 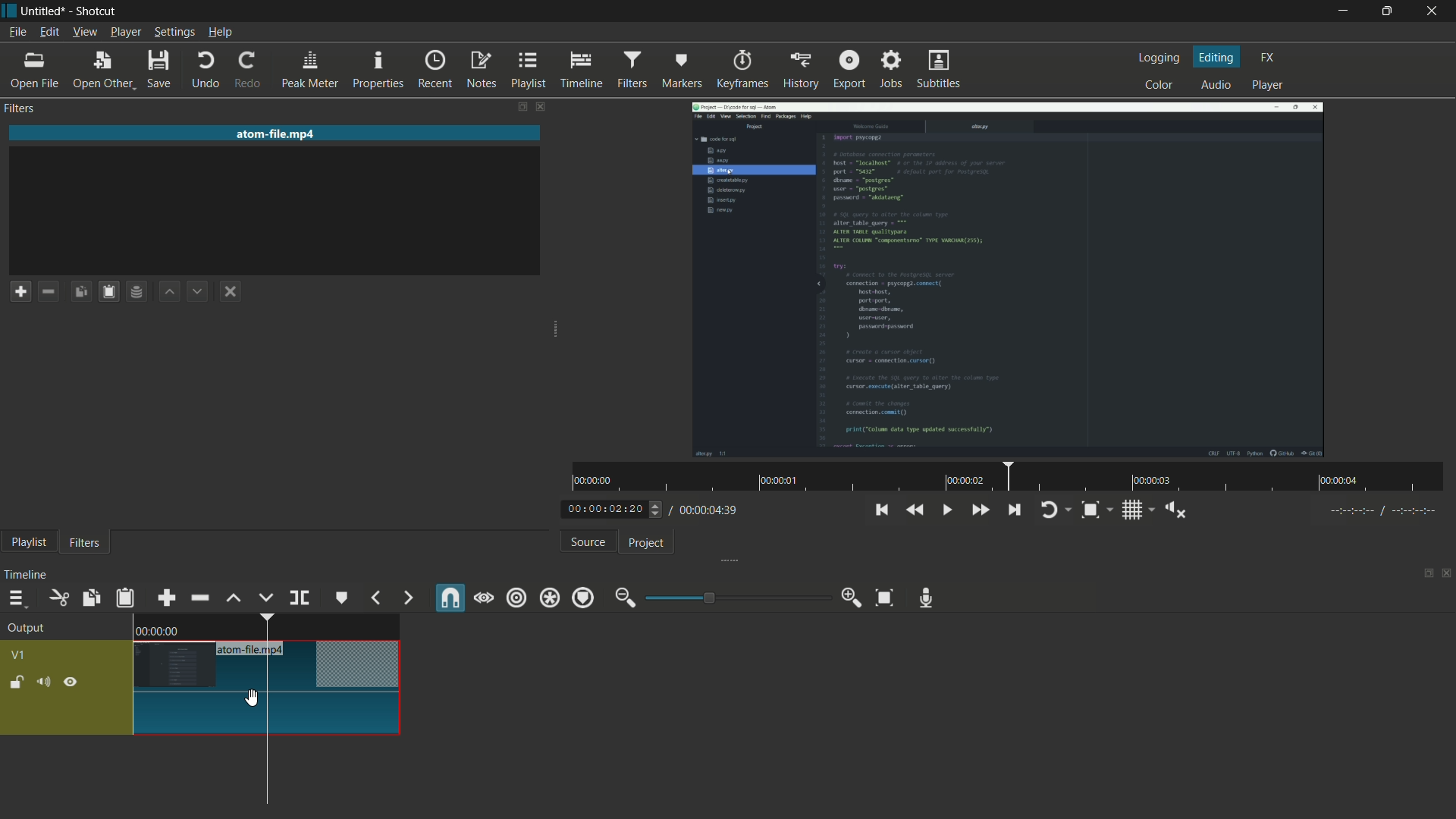 I want to click on quickly play forward, so click(x=982, y=511).